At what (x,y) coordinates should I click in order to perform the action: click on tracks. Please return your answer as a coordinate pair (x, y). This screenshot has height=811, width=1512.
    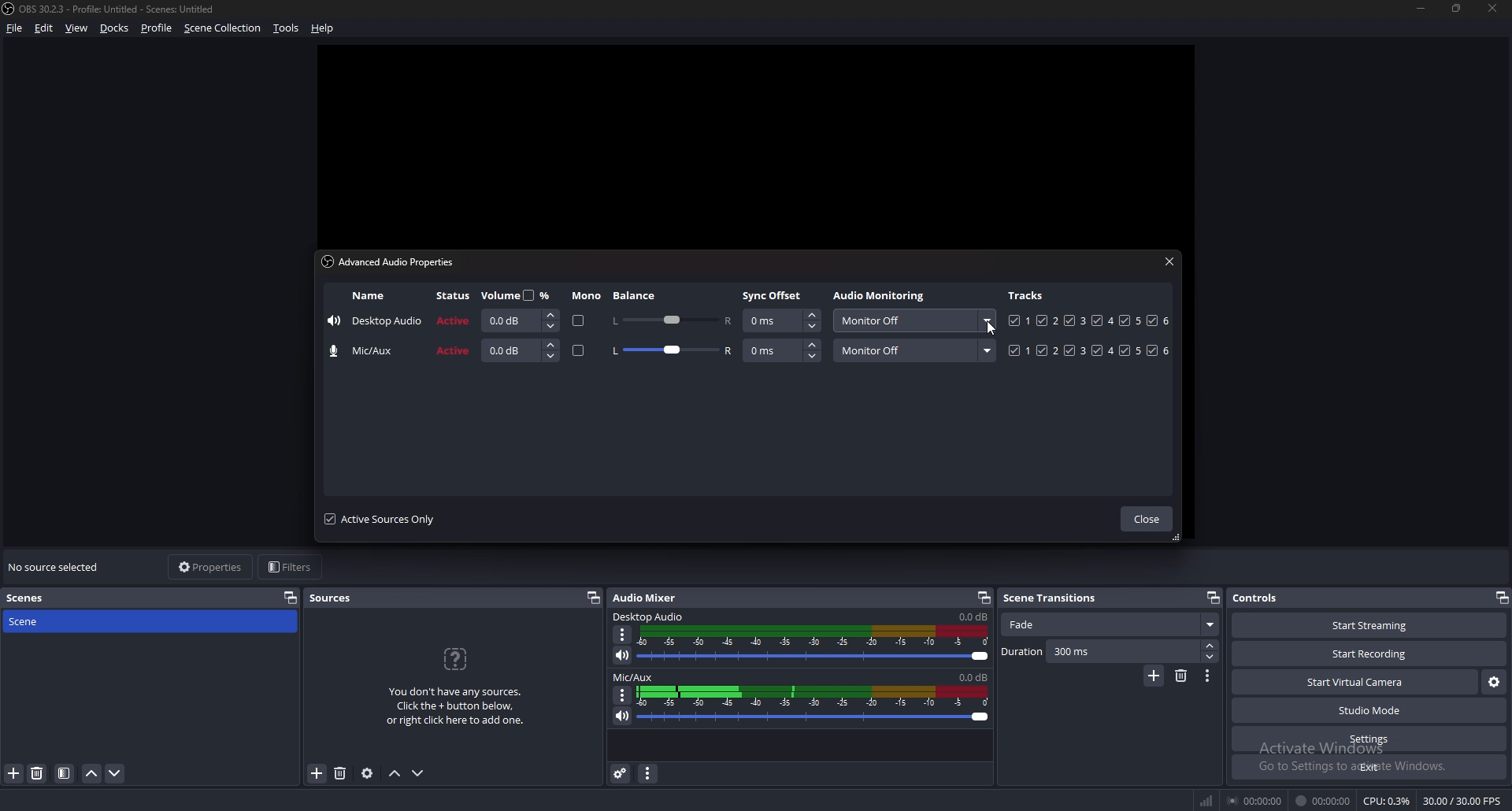
    Looking at the image, I should click on (1089, 320).